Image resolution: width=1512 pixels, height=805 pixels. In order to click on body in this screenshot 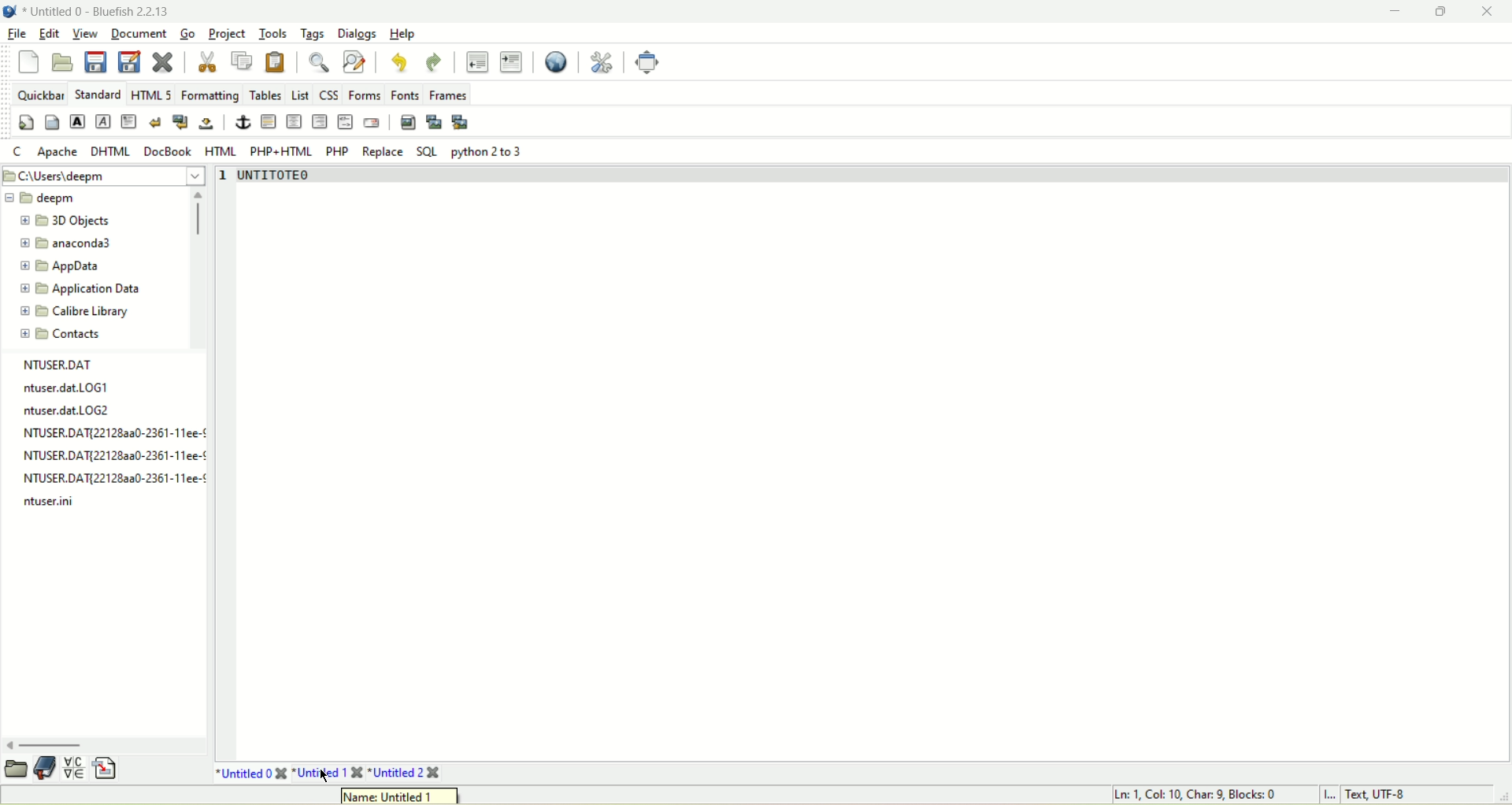, I will do `click(51, 122)`.